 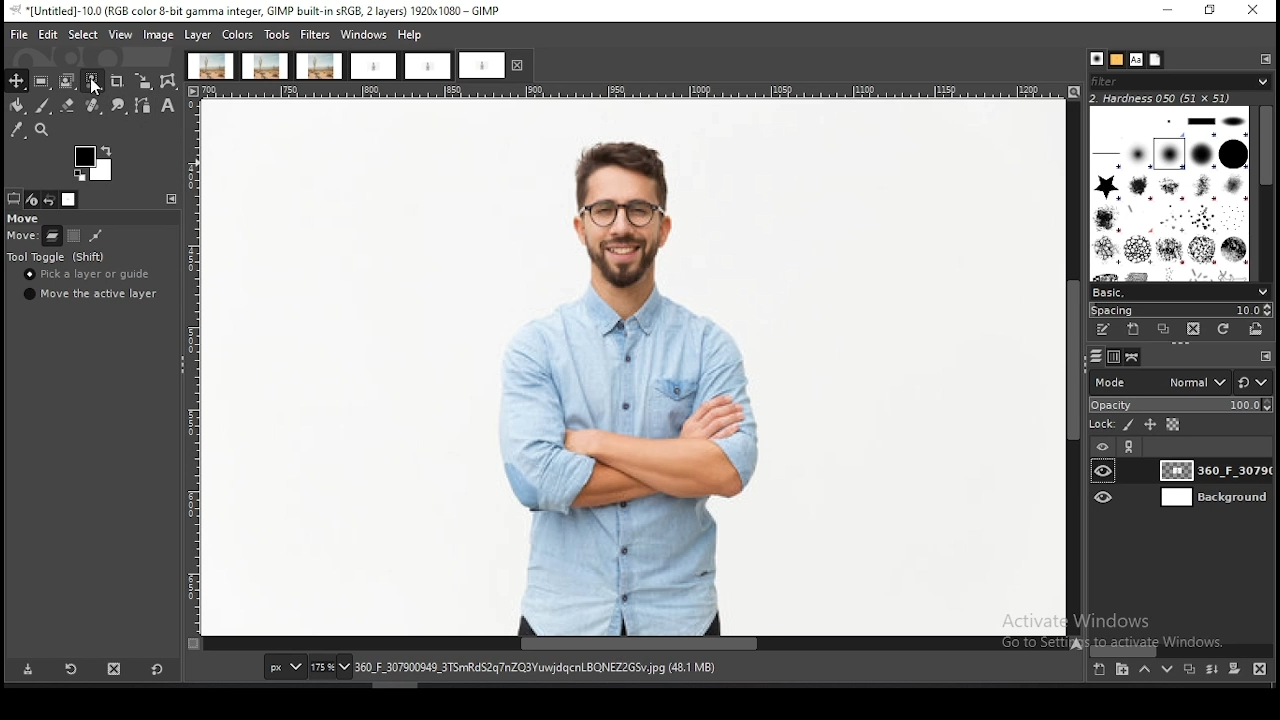 What do you see at coordinates (67, 81) in the screenshot?
I see `foreground select tool` at bounding box center [67, 81].